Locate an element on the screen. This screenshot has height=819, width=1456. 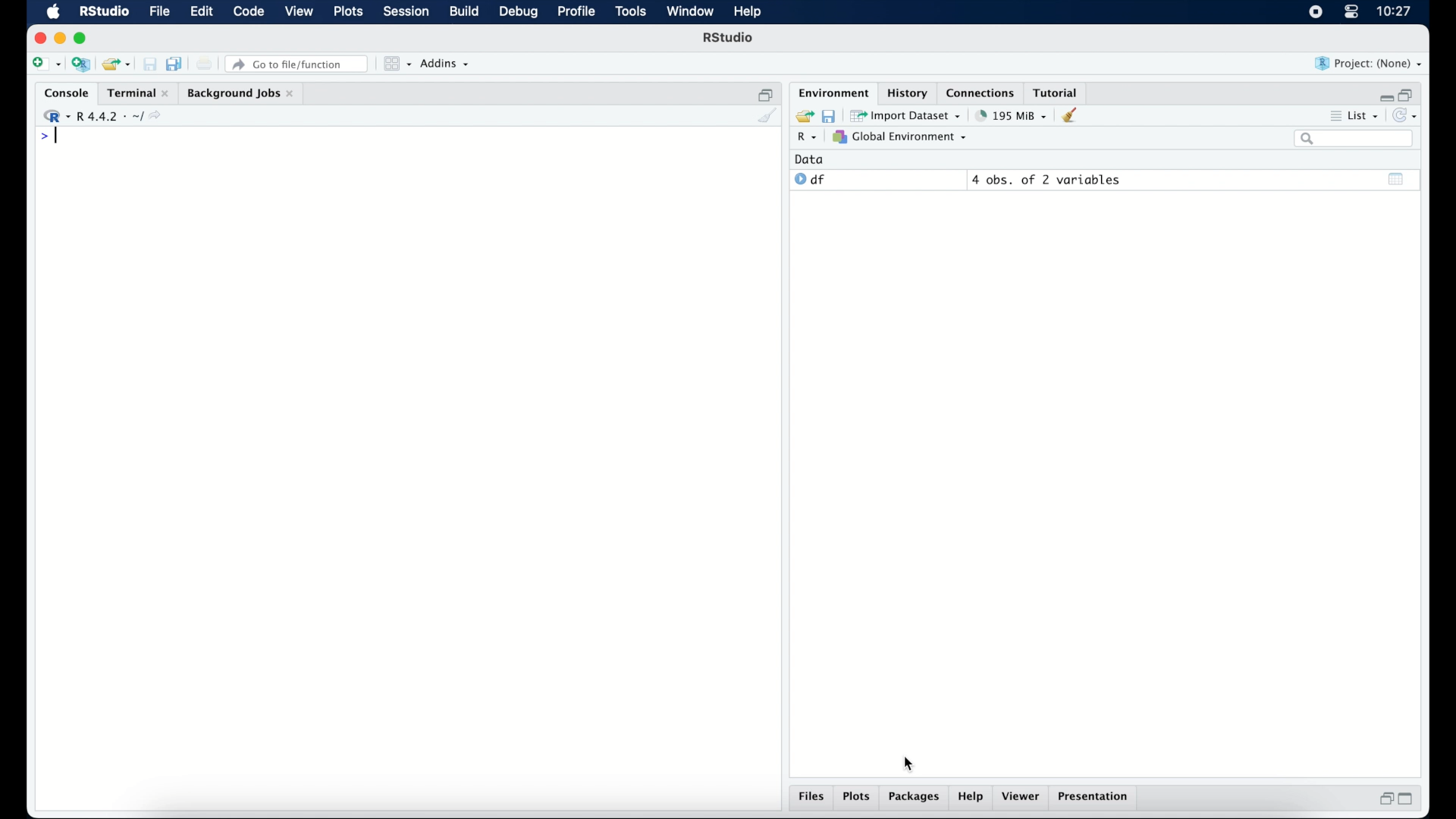
edit is located at coordinates (200, 12).